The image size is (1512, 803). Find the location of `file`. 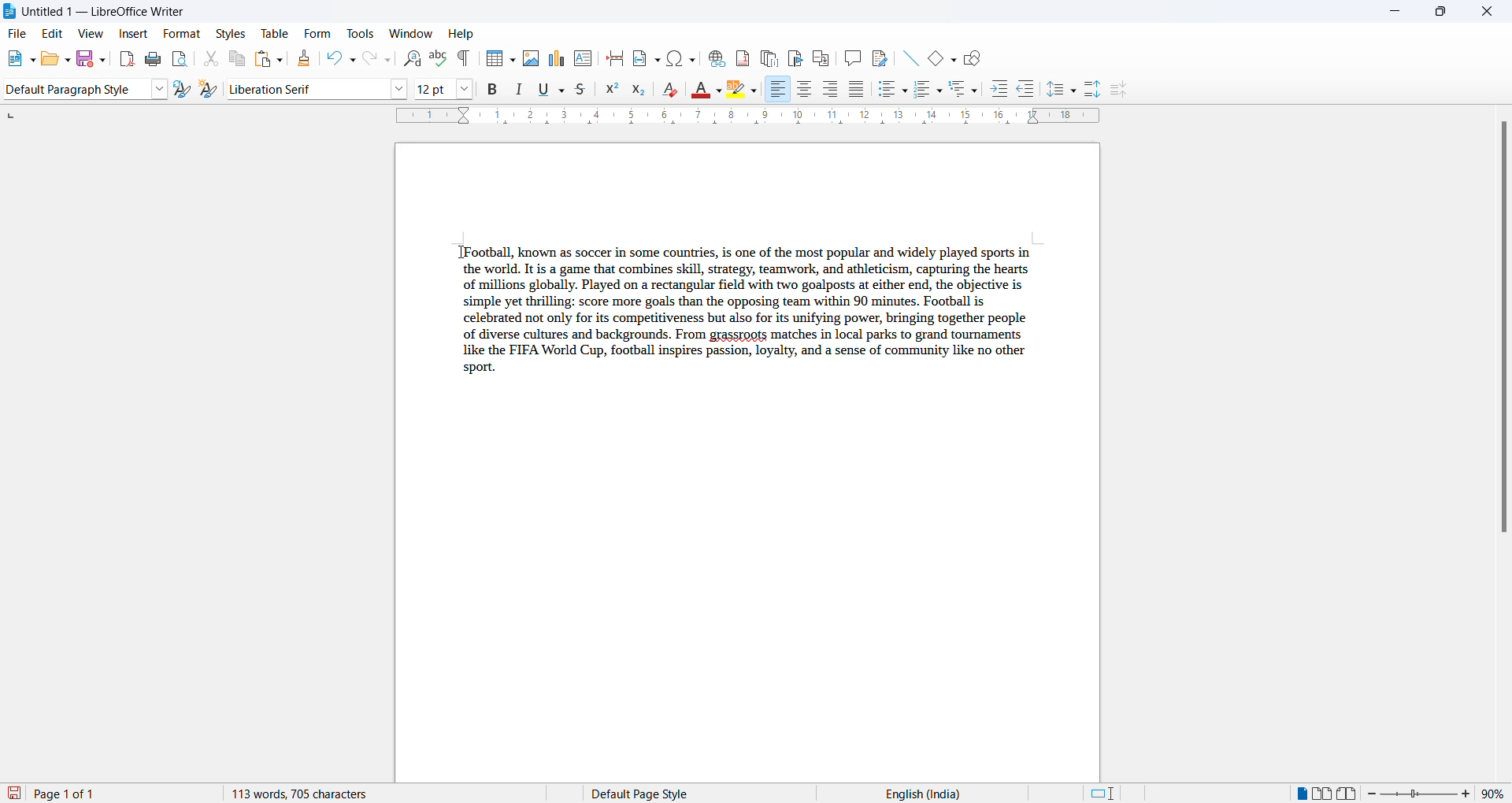

file is located at coordinates (20, 33).